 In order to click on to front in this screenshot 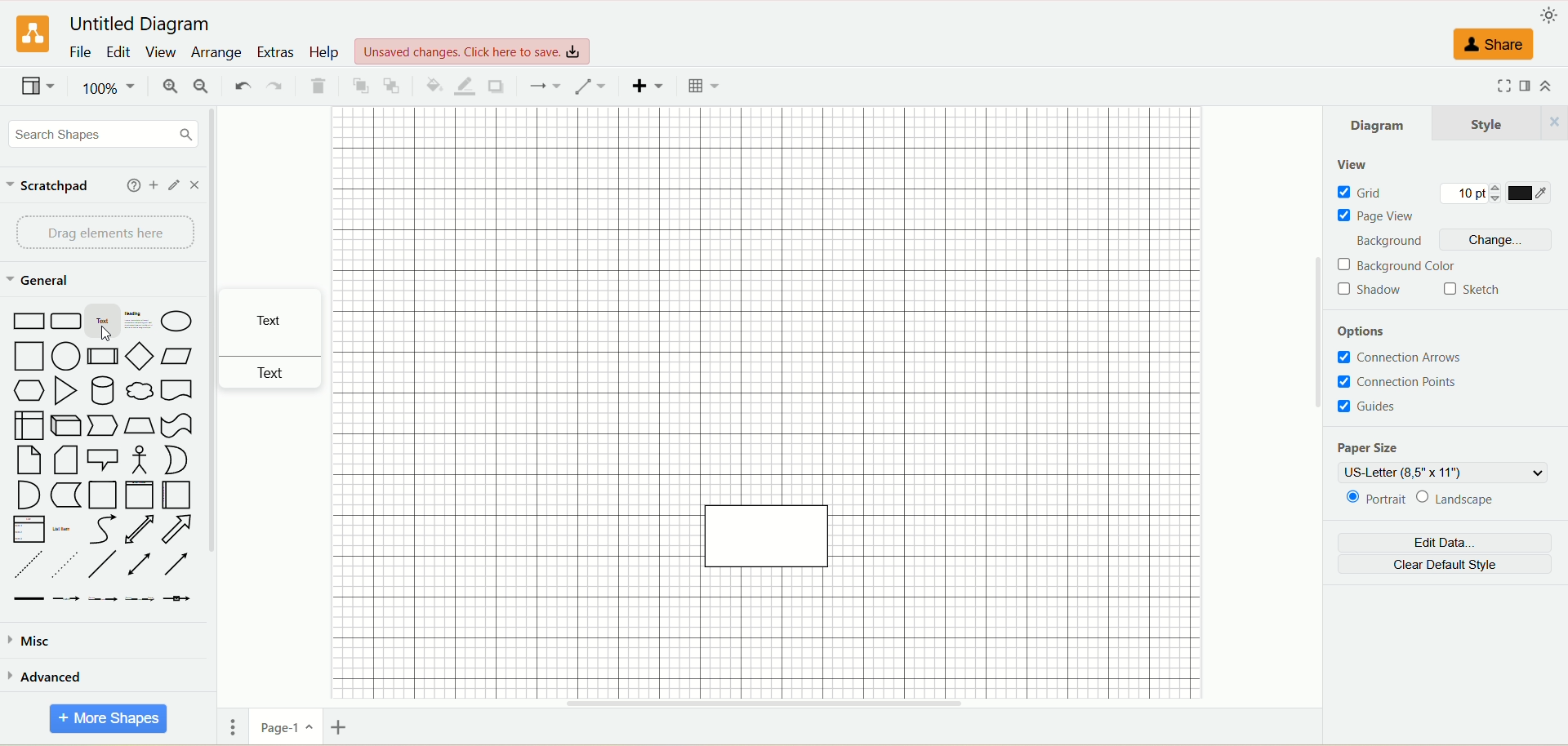, I will do `click(357, 84)`.